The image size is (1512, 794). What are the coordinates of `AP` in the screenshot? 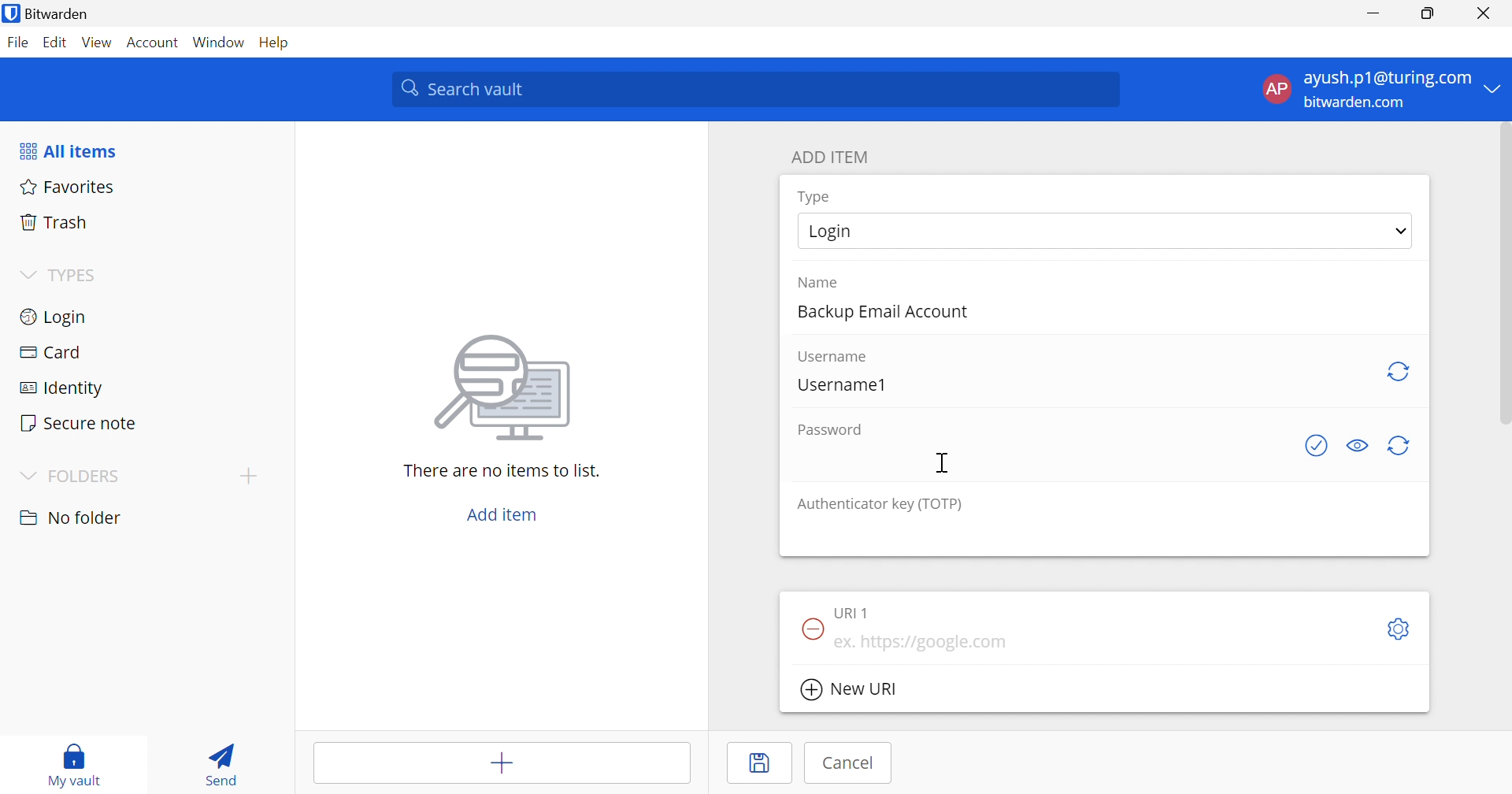 It's located at (1275, 89).